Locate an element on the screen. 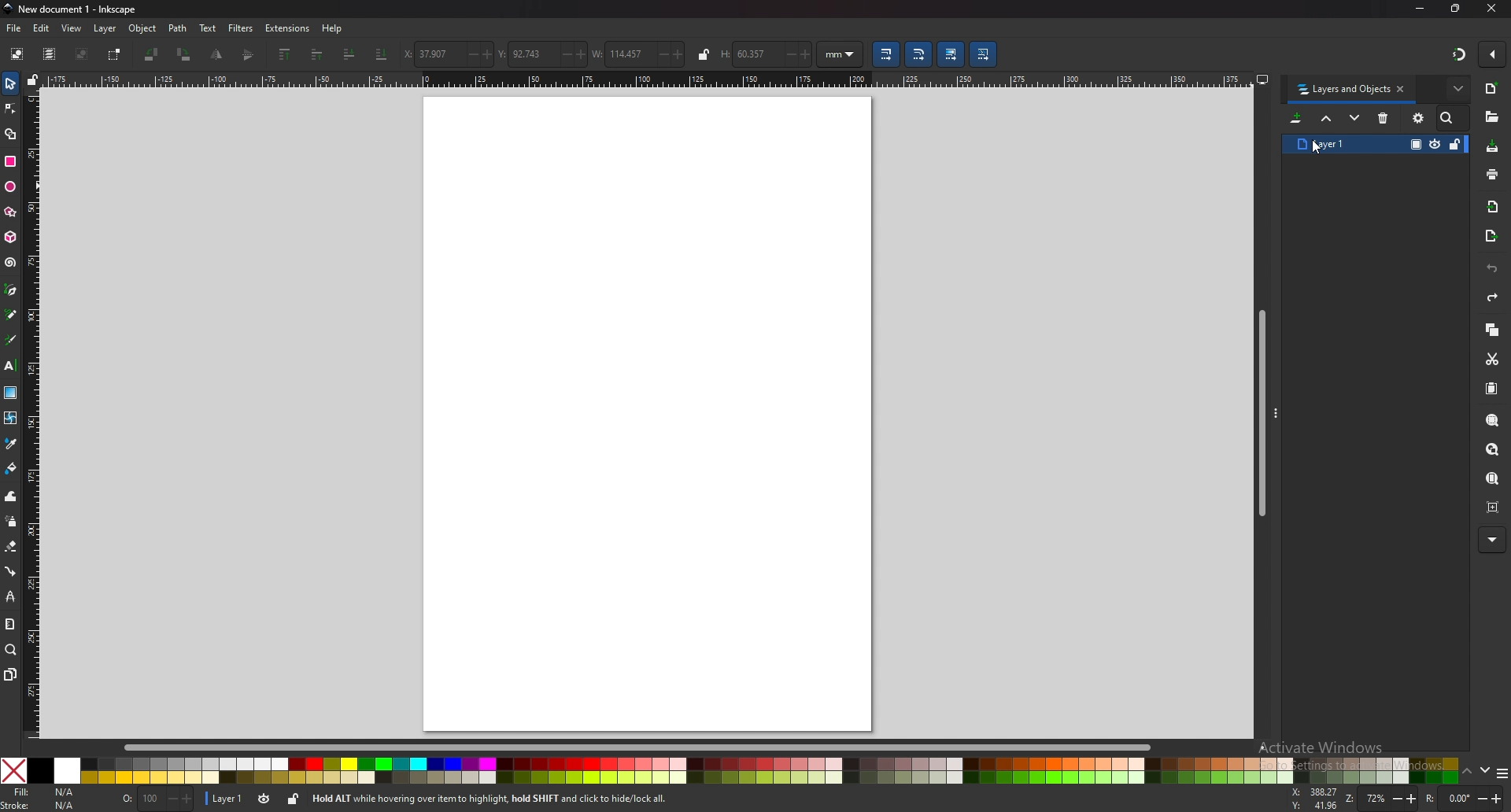 This screenshot has width=1511, height=812. down is located at coordinates (1483, 770).